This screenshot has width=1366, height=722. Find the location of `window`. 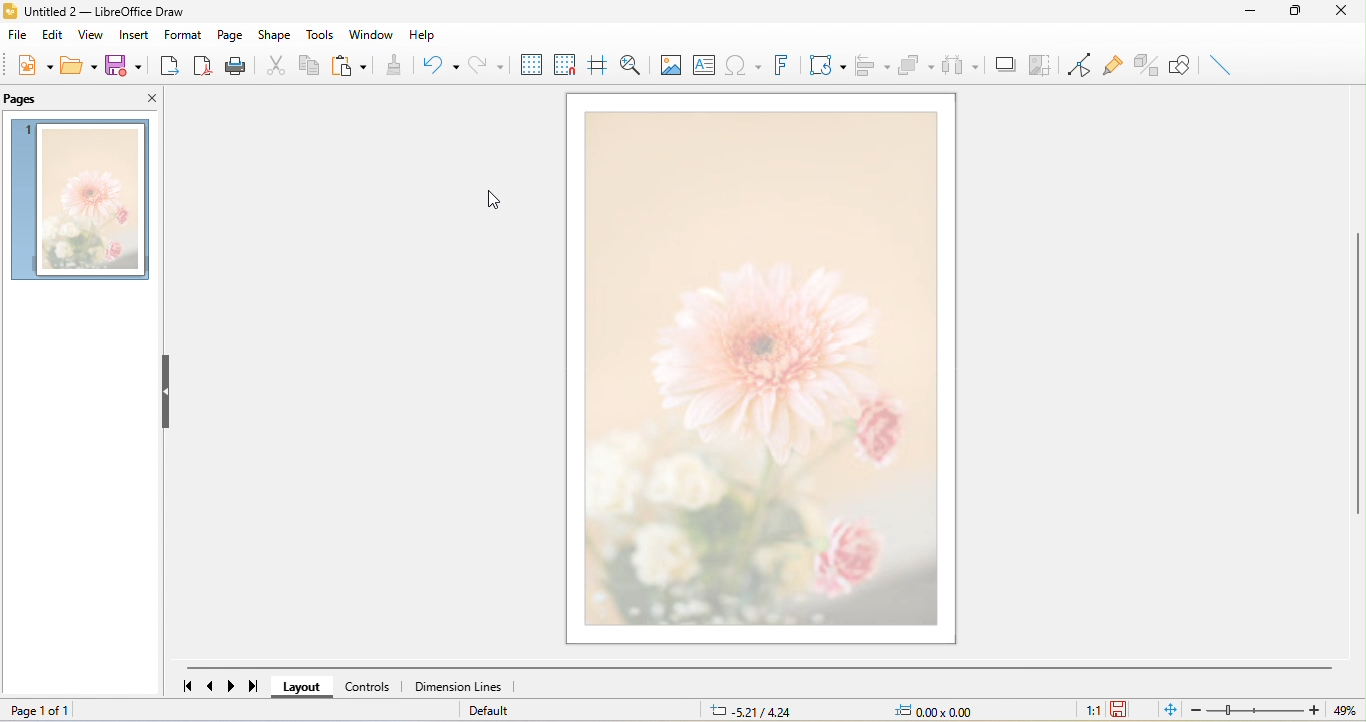

window is located at coordinates (374, 34).